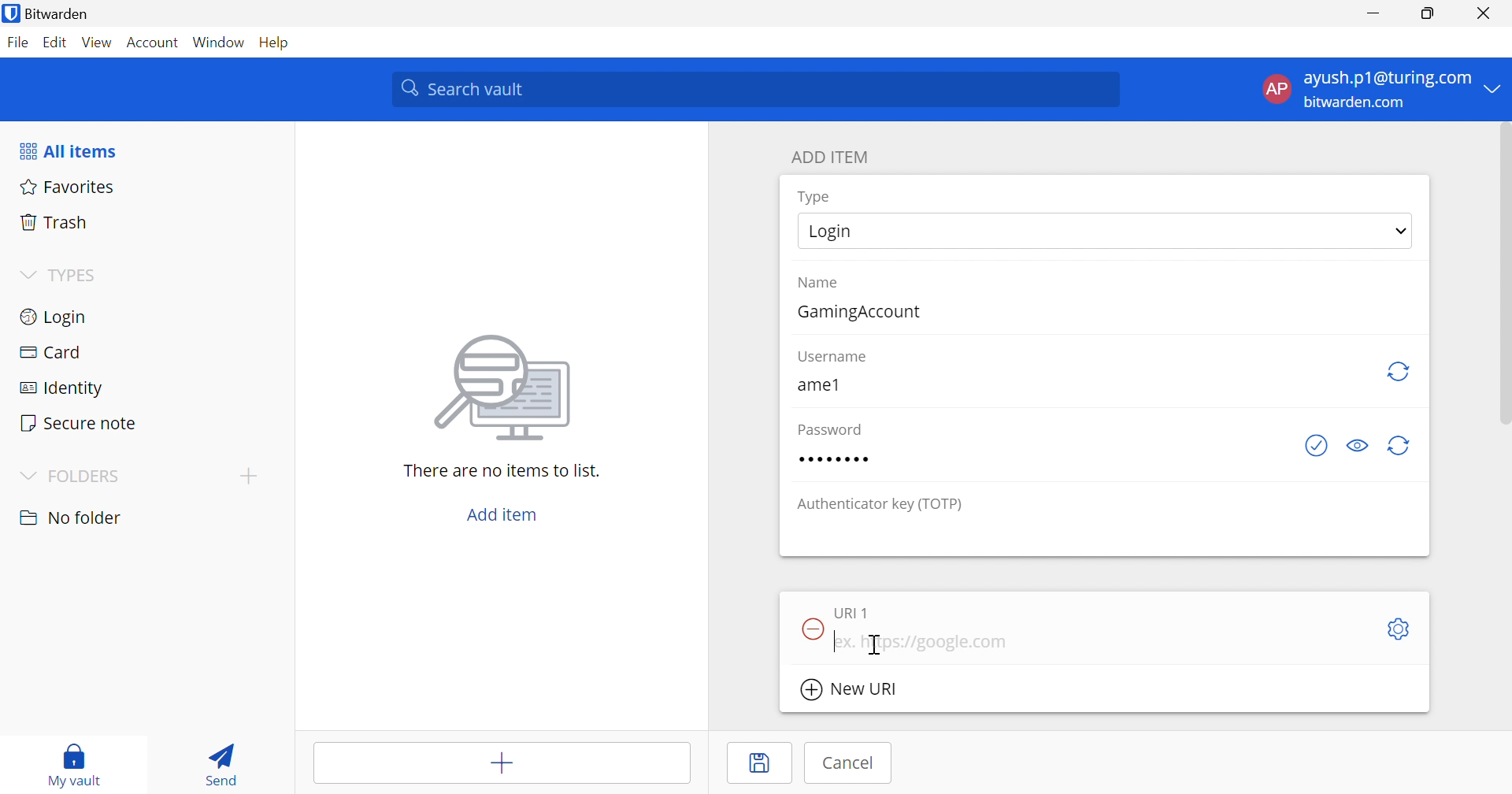 This screenshot has height=794, width=1512. What do you see at coordinates (876, 645) in the screenshot?
I see `Cursor` at bounding box center [876, 645].